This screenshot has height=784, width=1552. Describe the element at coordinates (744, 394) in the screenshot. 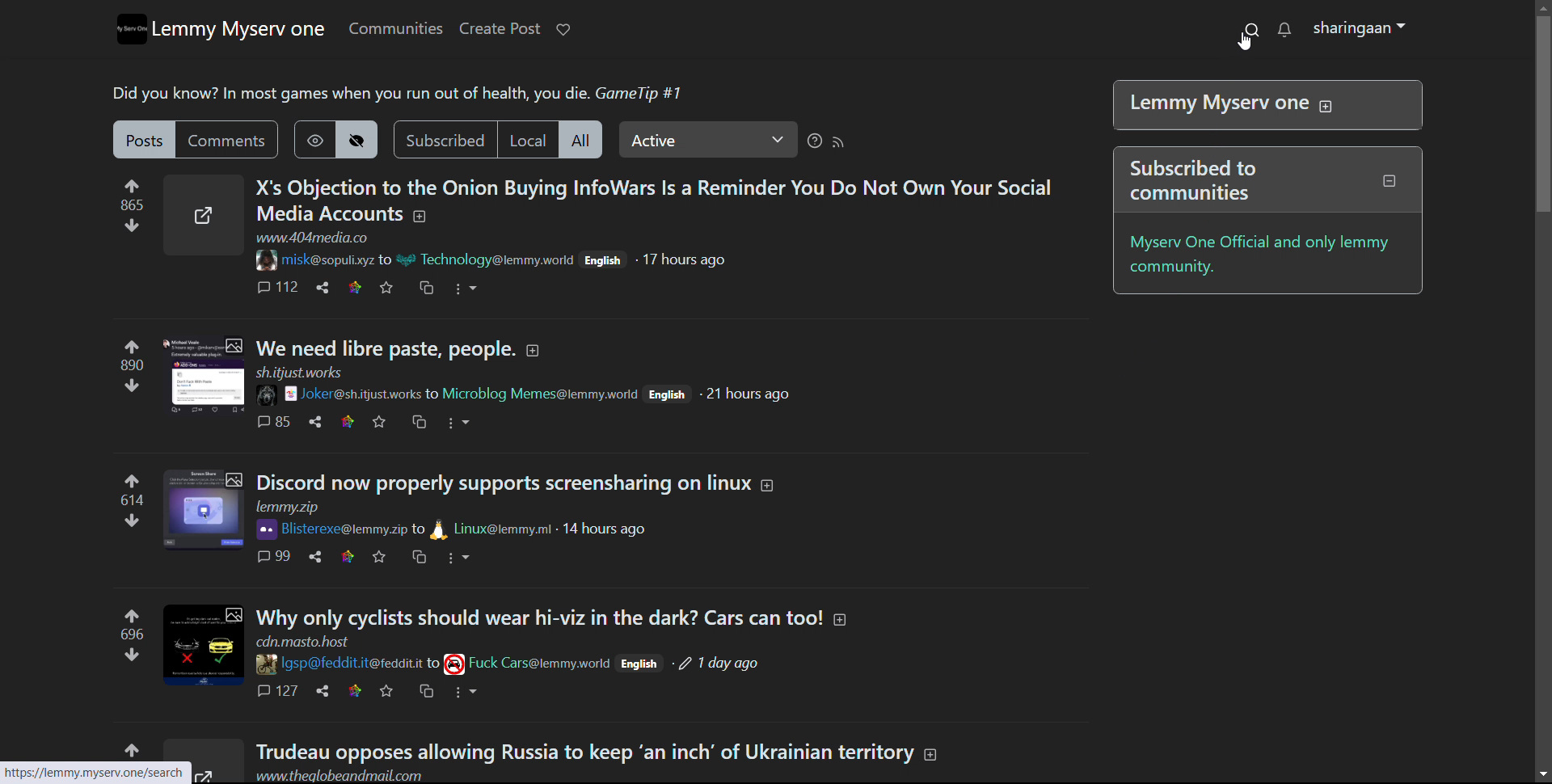

I see `21 hours ago` at that location.